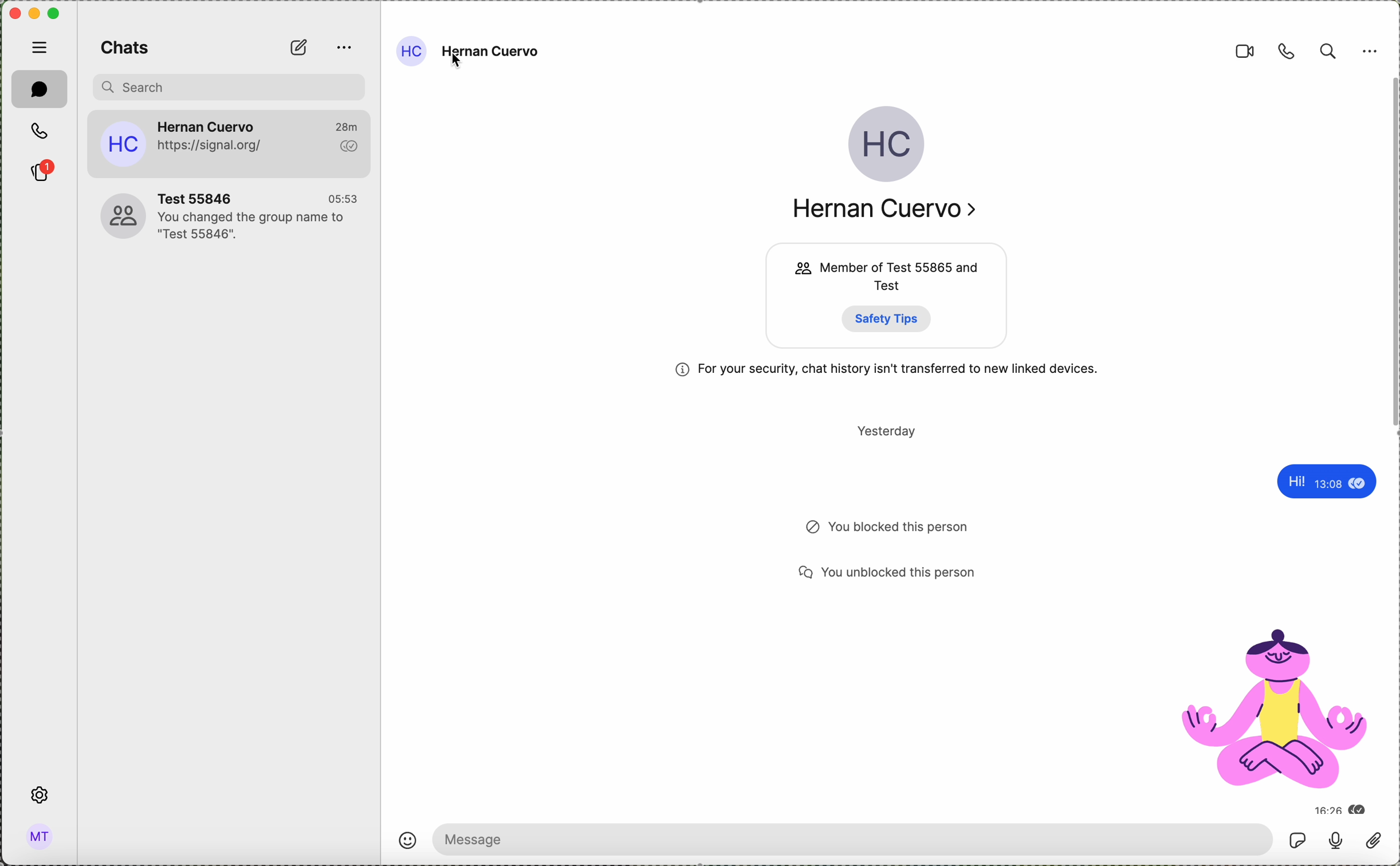 This screenshot has width=1400, height=866. What do you see at coordinates (254, 227) in the screenshot?
I see `YOu changed the group hame to
"Test 55846".` at bounding box center [254, 227].